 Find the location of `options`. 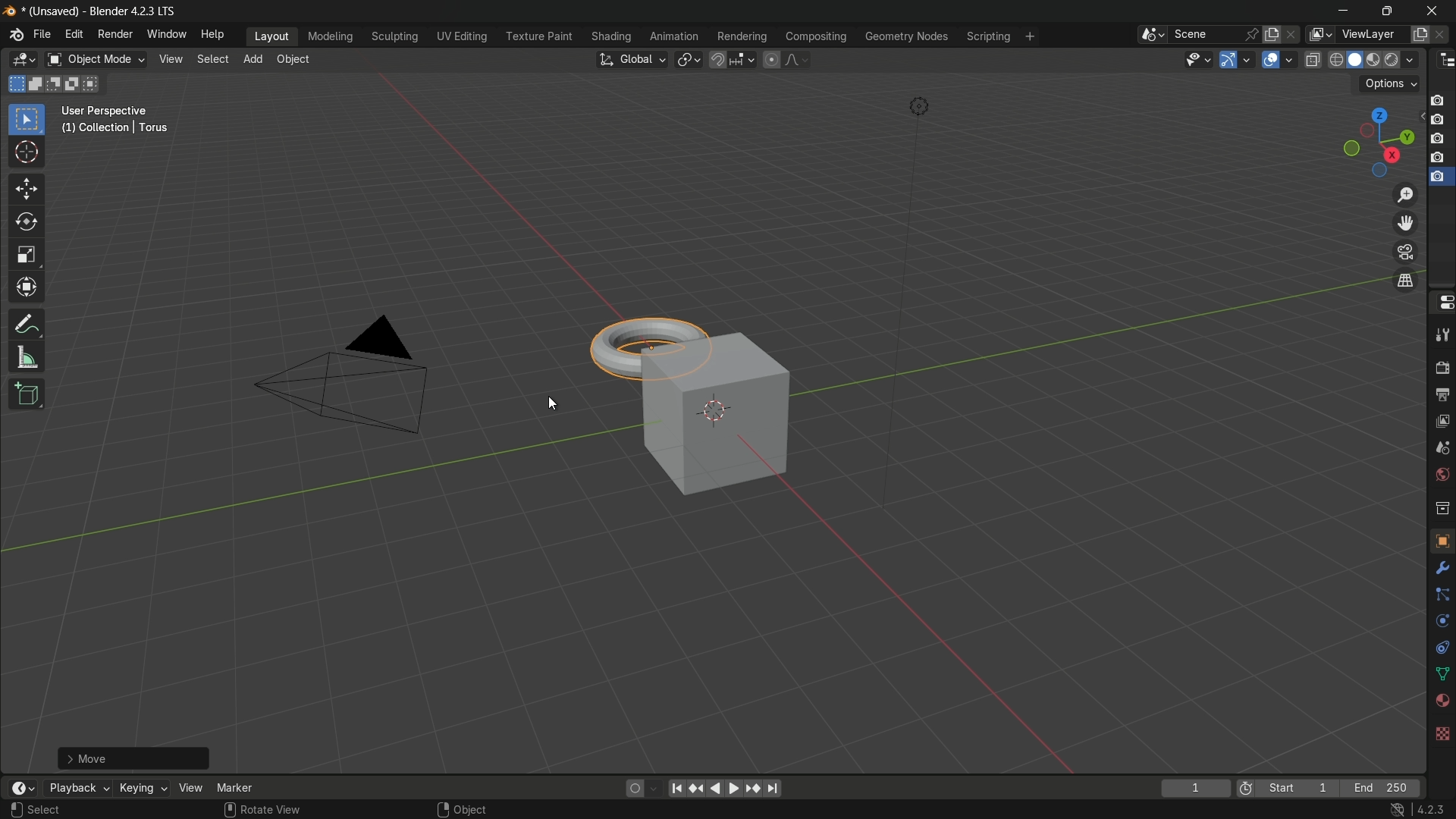

options is located at coordinates (1390, 84).